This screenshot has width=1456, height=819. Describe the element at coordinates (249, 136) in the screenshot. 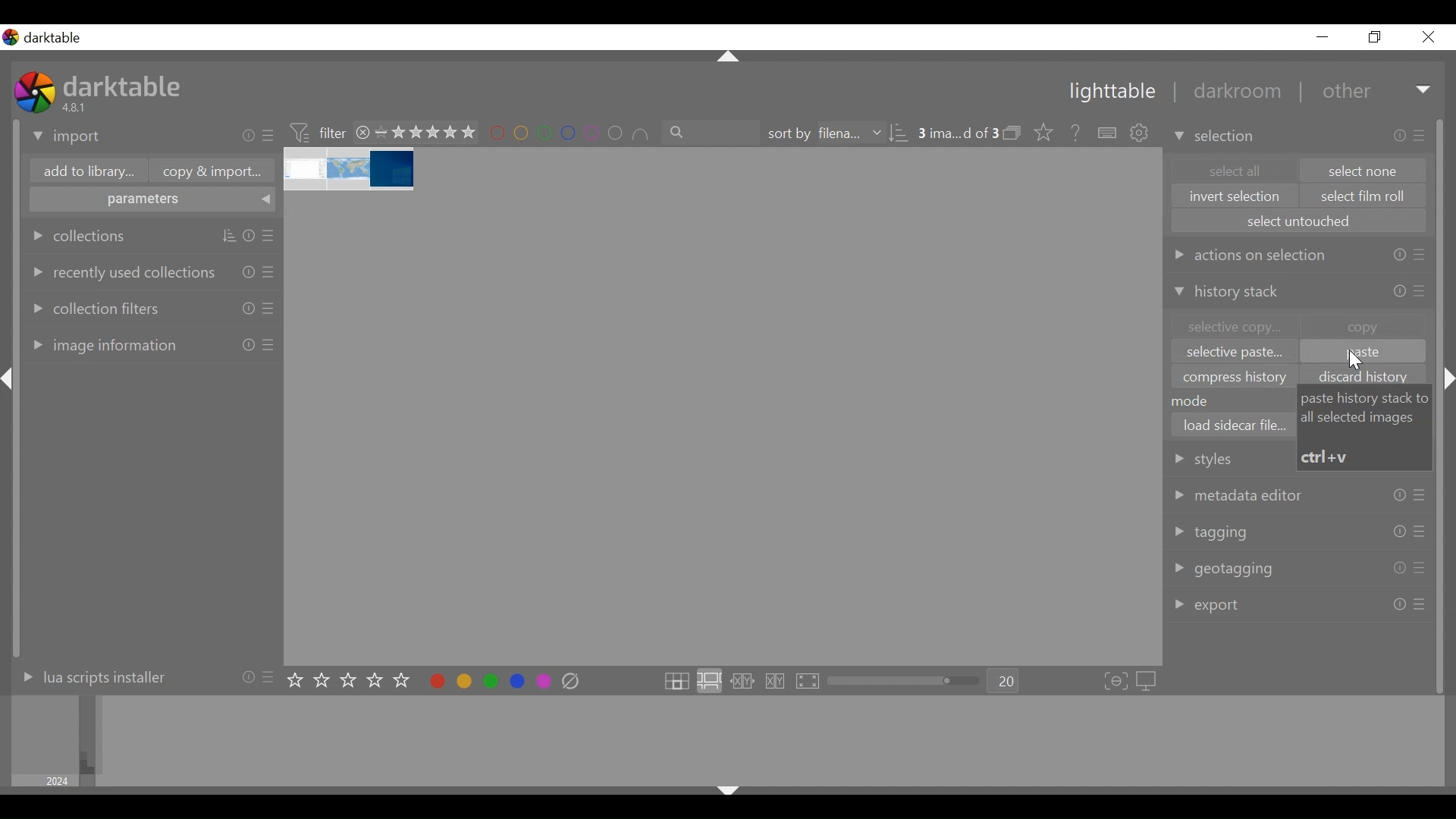

I see `info` at that location.